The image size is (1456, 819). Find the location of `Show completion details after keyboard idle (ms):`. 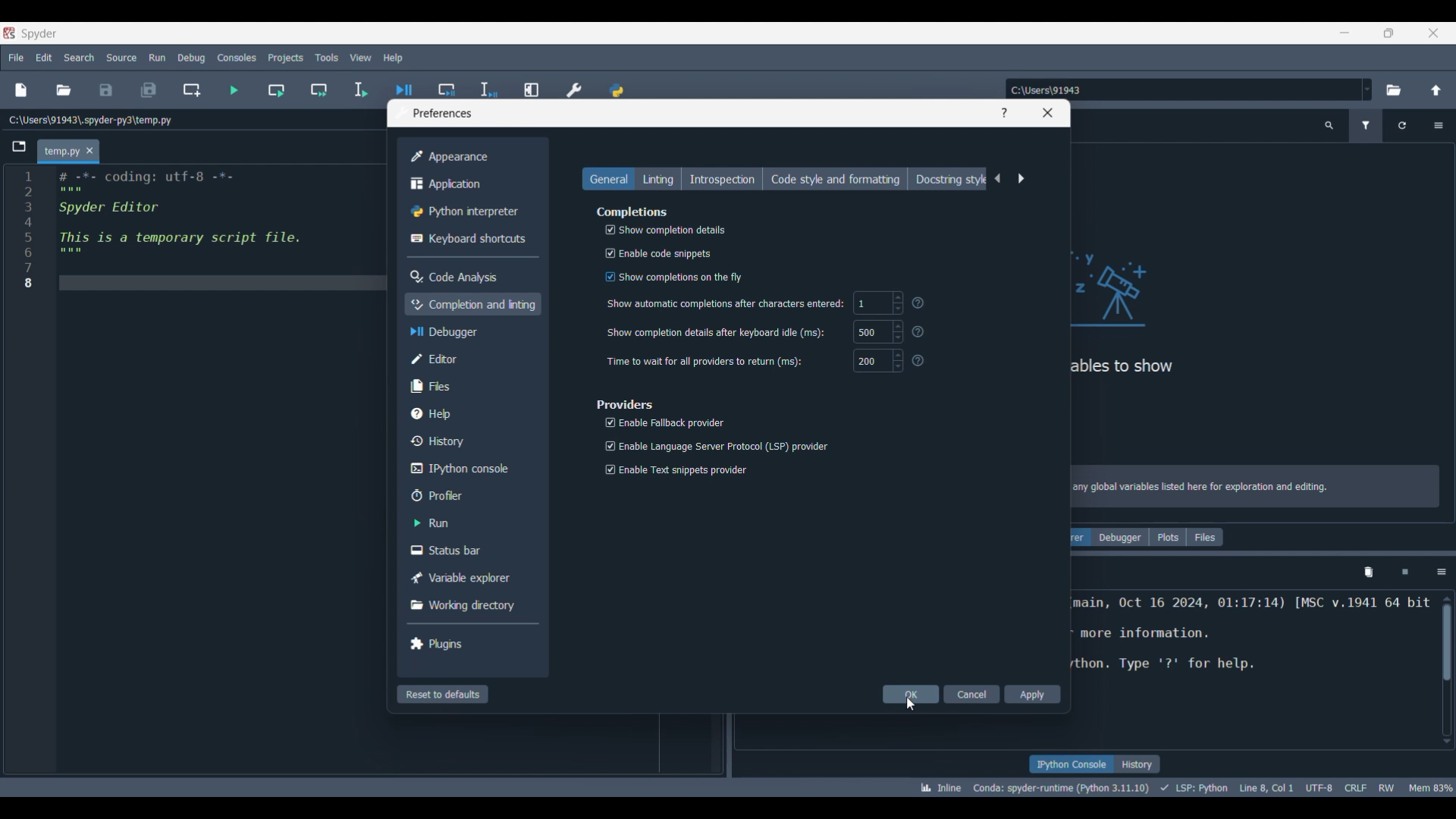

Show completion details after keyboard idle (ms): is located at coordinates (716, 333).